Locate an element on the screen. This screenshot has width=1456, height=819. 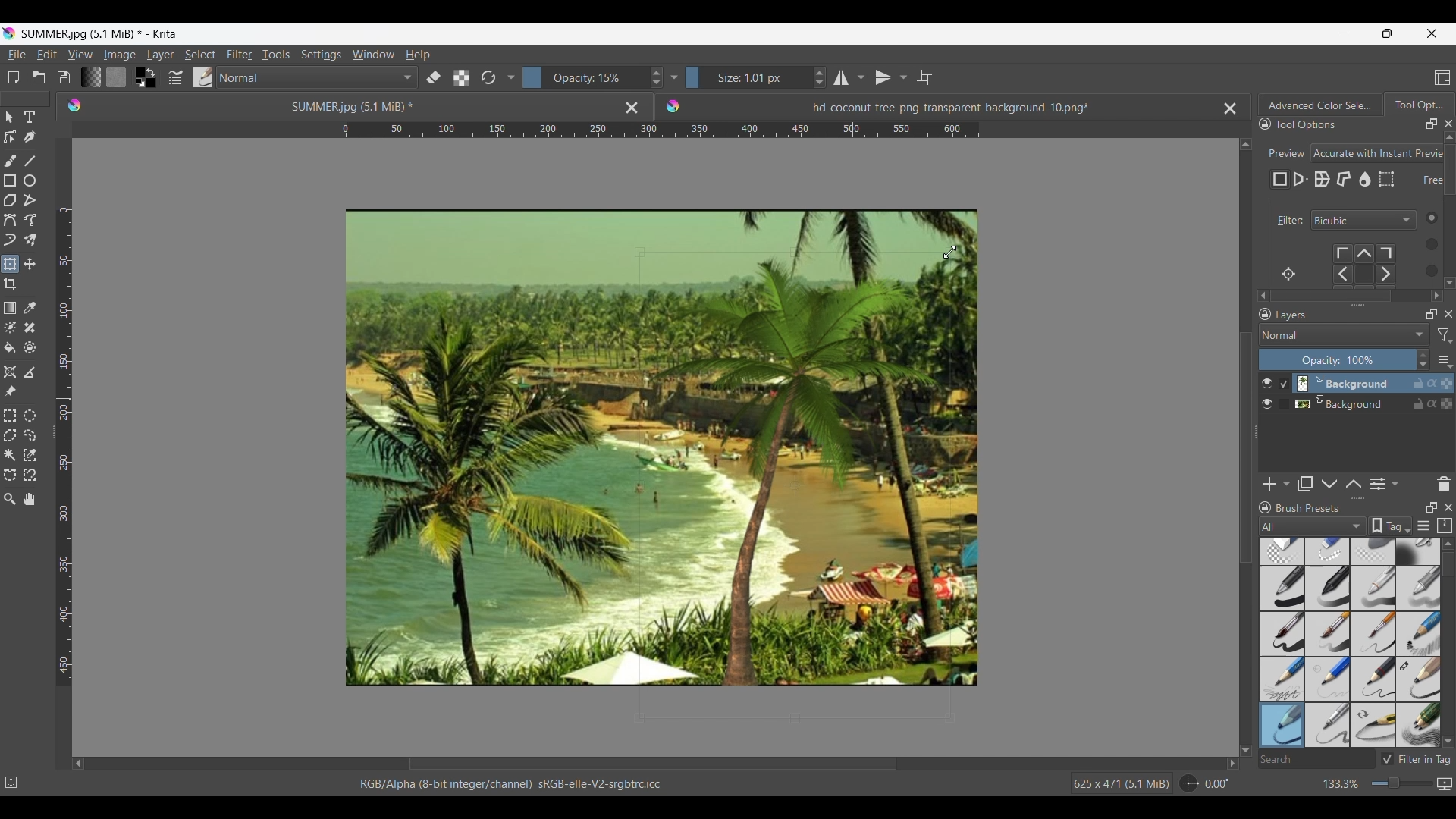
Edit brush settings is located at coordinates (174, 78).